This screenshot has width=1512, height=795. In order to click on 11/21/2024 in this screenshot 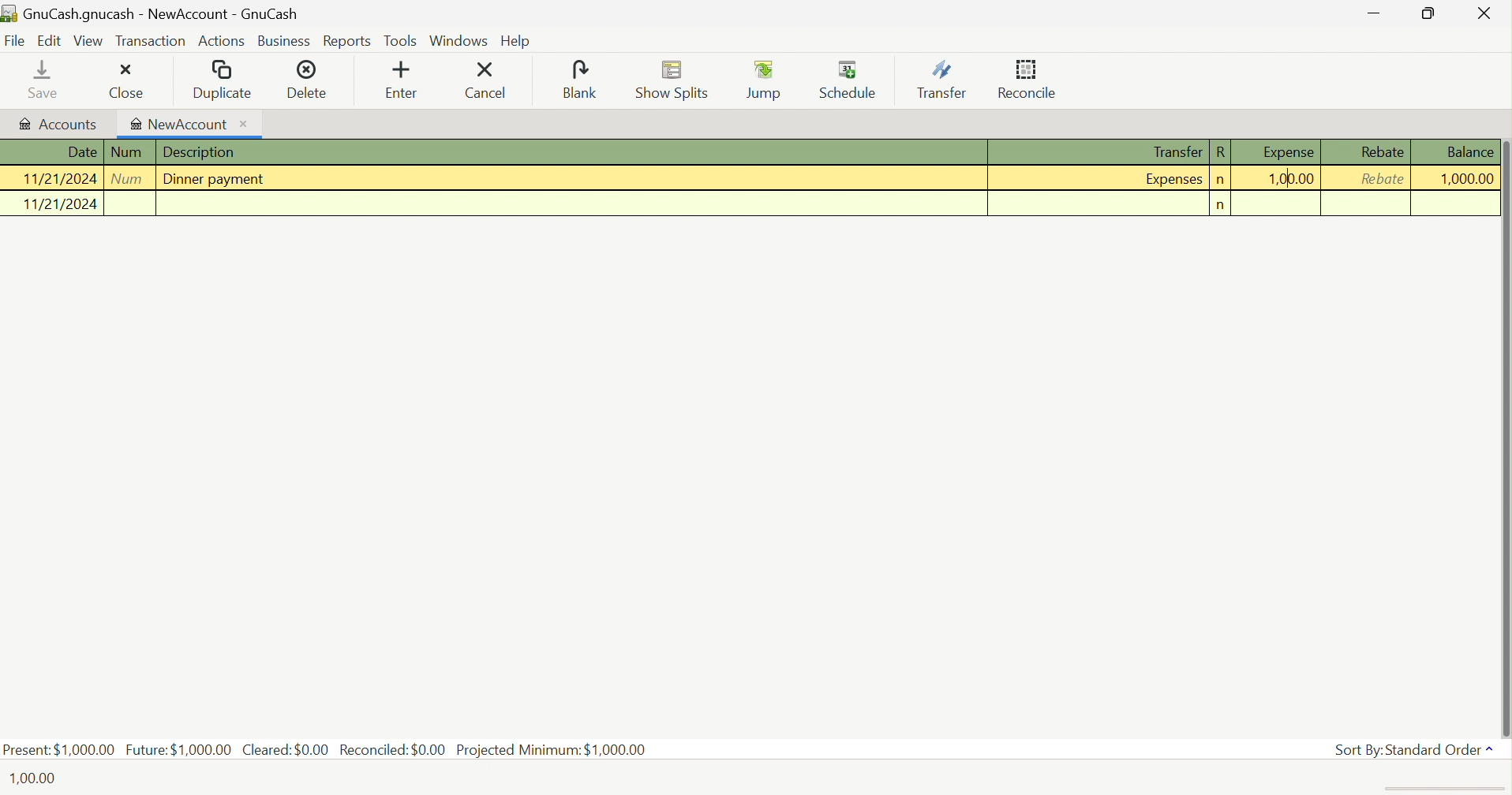, I will do `click(50, 204)`.